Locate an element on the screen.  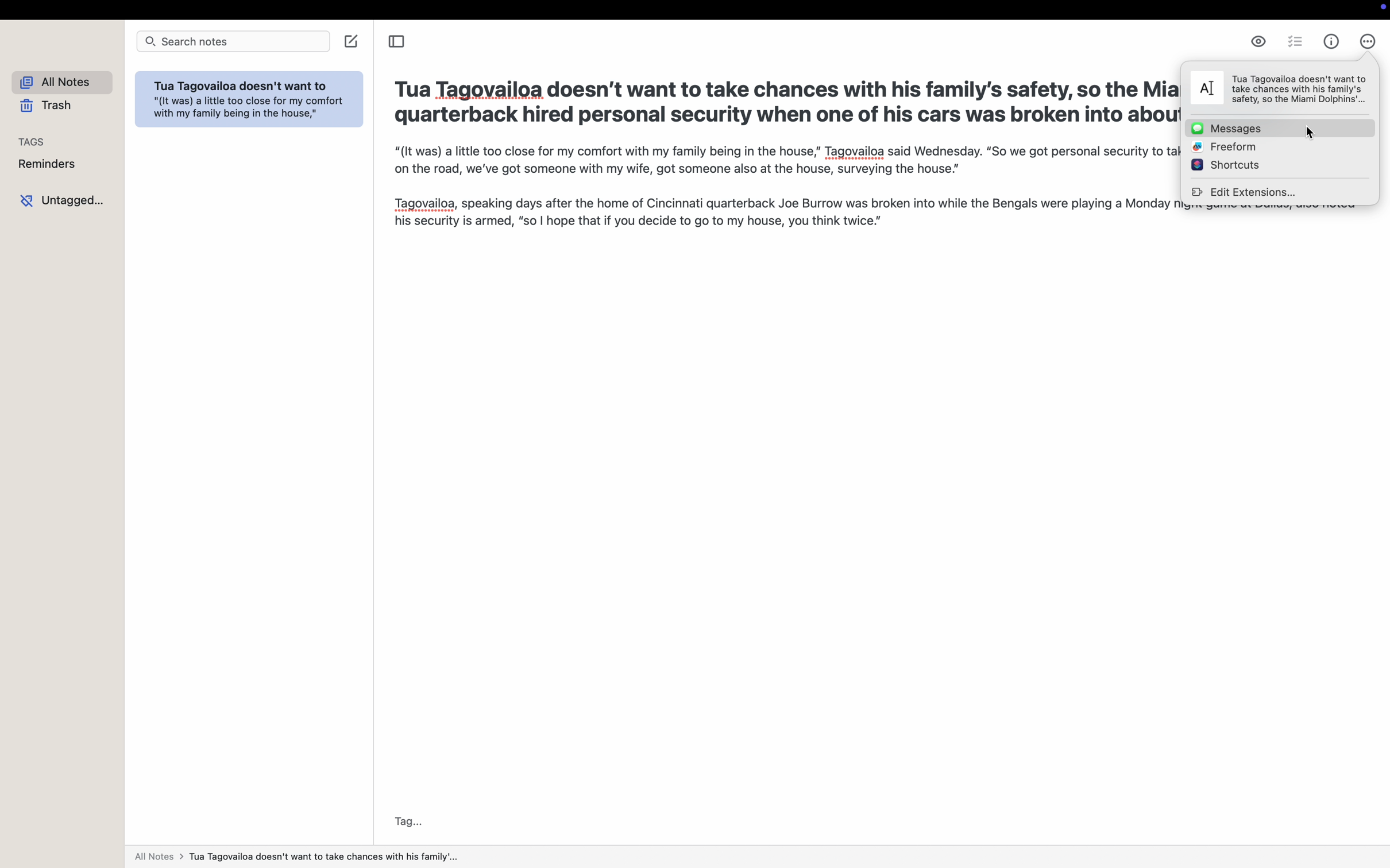
enable markdown is located at coordinates (1258, 41).